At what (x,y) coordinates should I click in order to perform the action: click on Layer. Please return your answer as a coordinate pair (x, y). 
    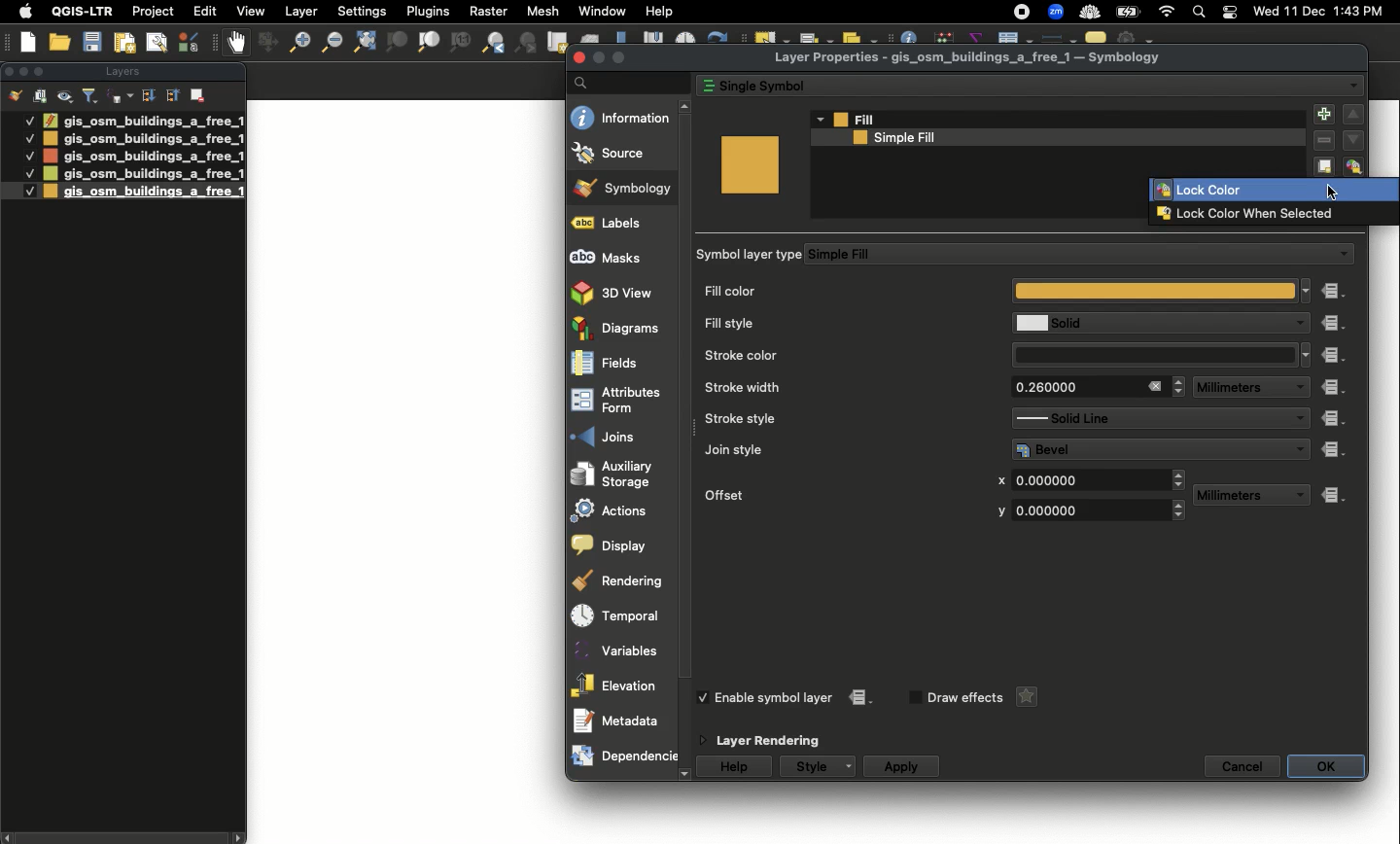
    Looking at the image, I should click on (302, 12).